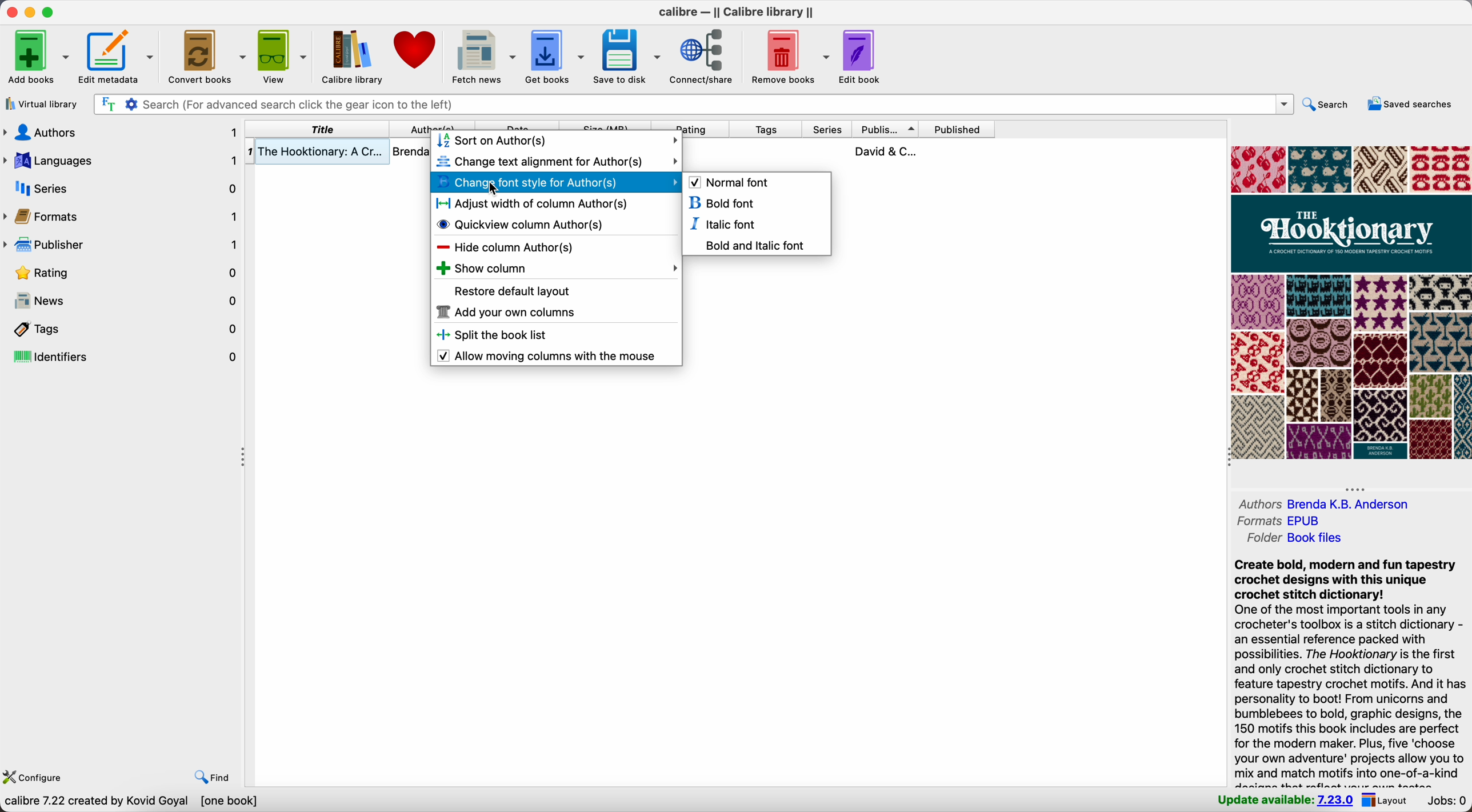  I want to click on close program, so click(10, 11).